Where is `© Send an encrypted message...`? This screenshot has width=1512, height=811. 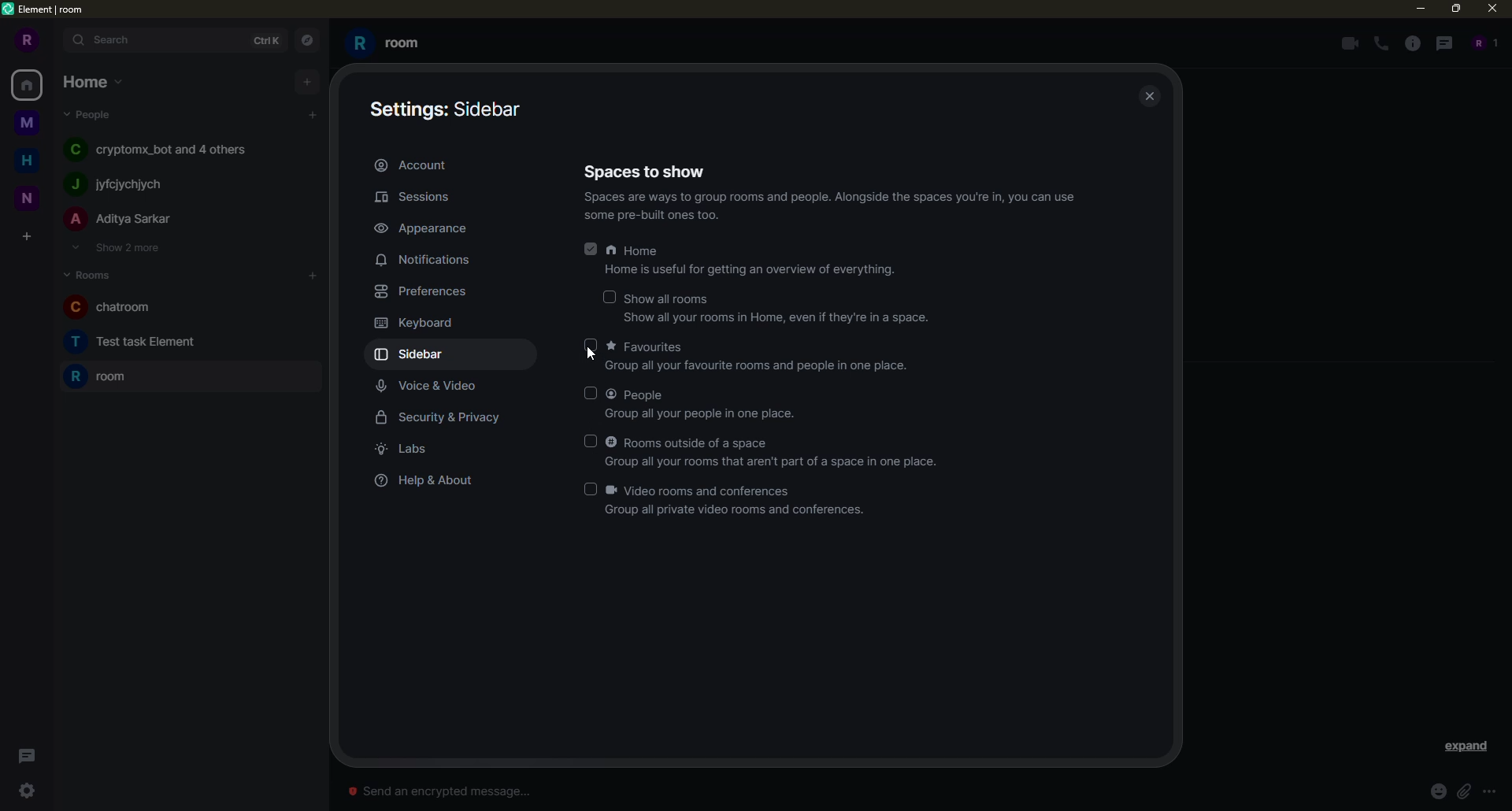 © Send an encrypted message... is located at coordinates (490, 794).